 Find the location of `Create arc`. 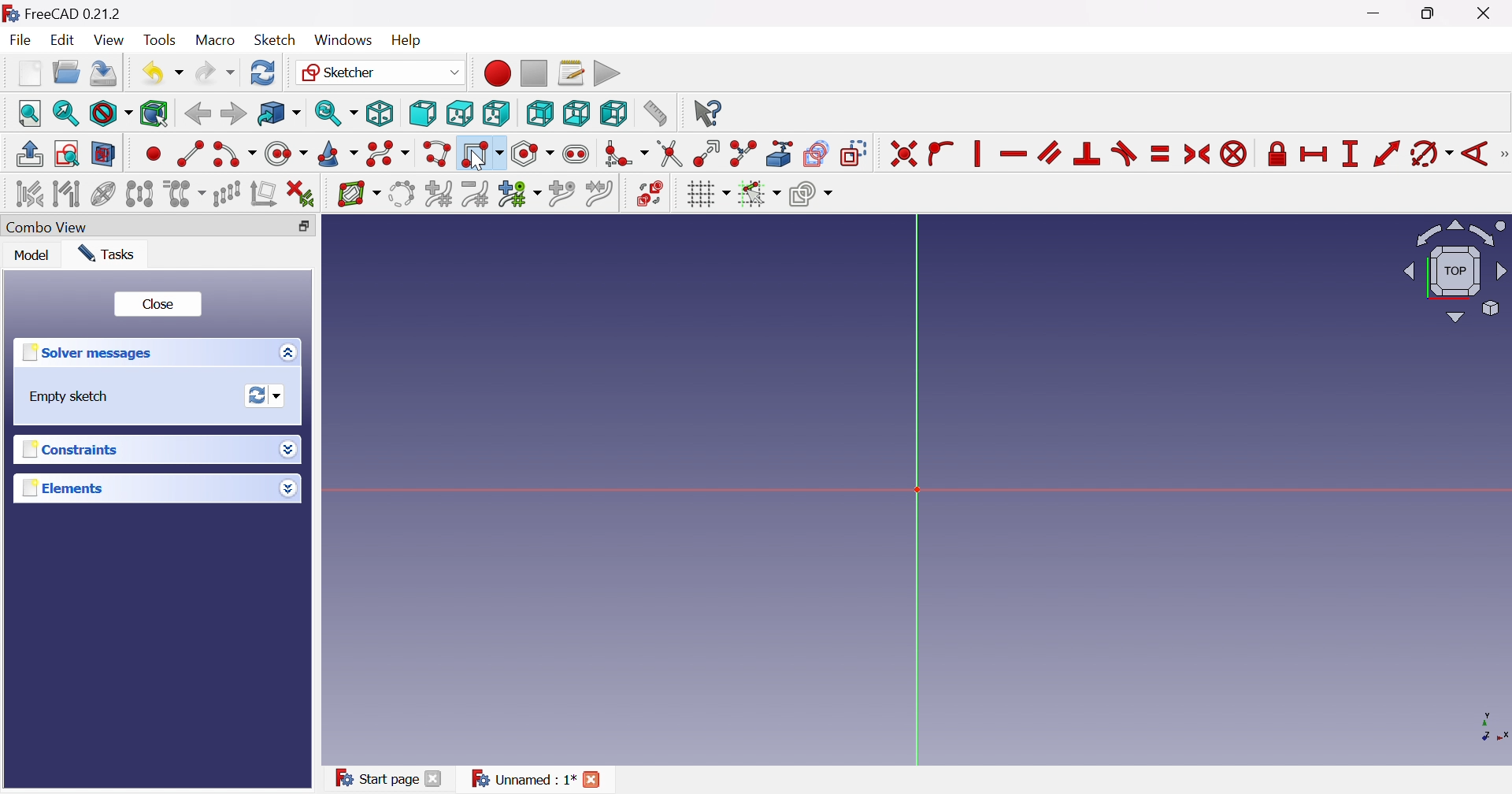

Create arc is located at coordinates (233, 157).